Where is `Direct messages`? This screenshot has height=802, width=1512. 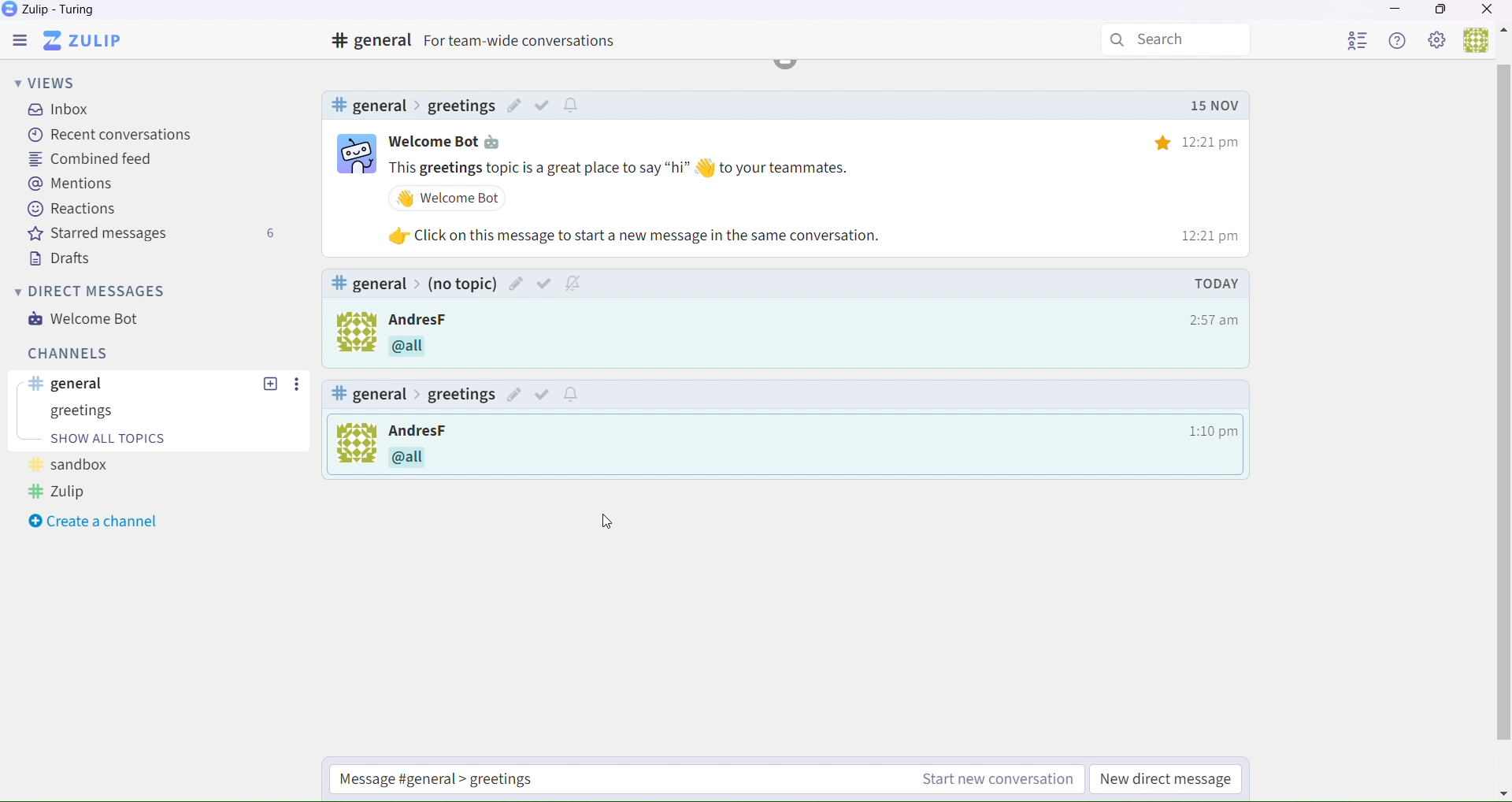 Direct messages is located at coordinates (93, 292).